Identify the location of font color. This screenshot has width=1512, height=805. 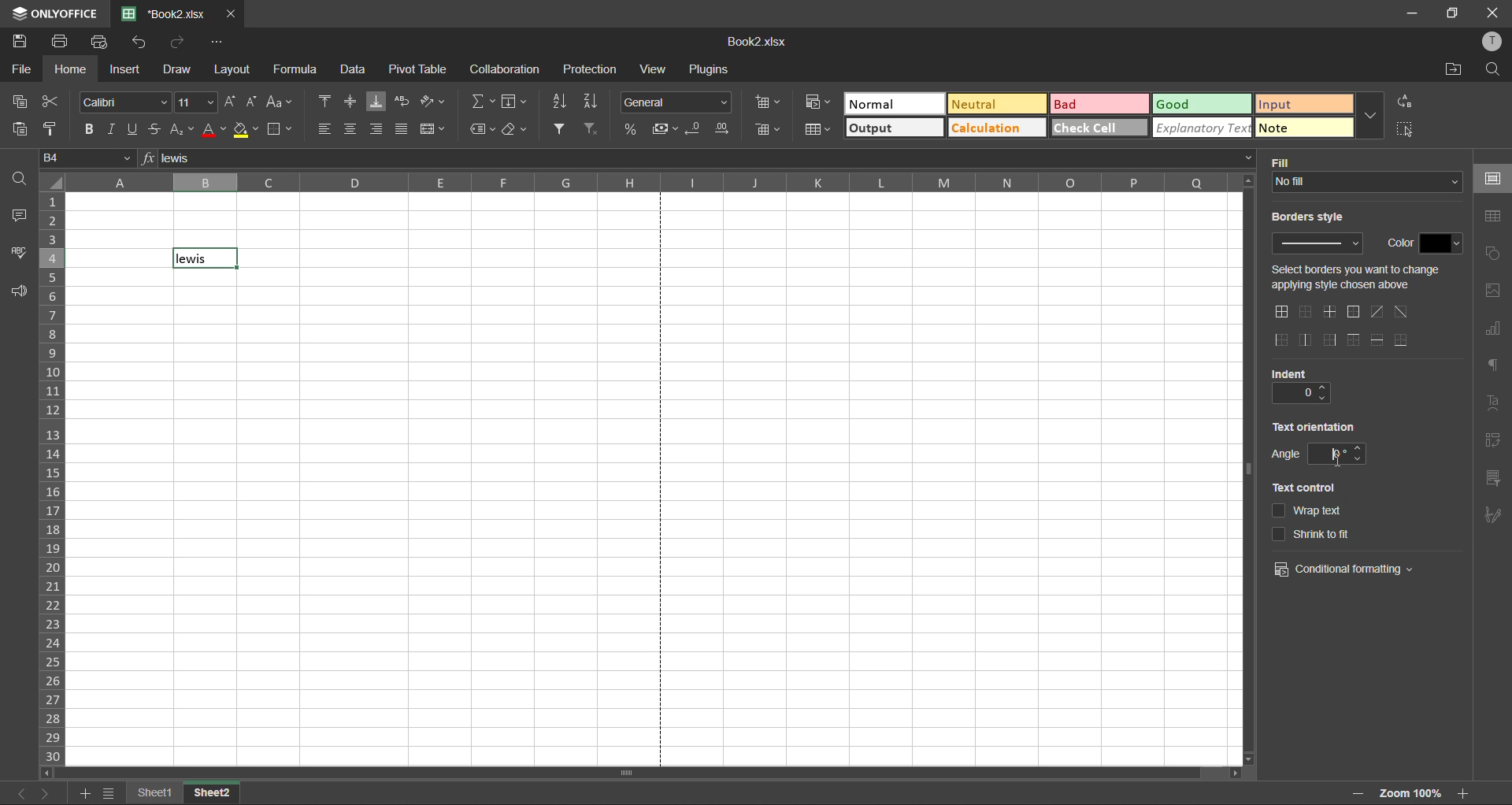
(213, 132).